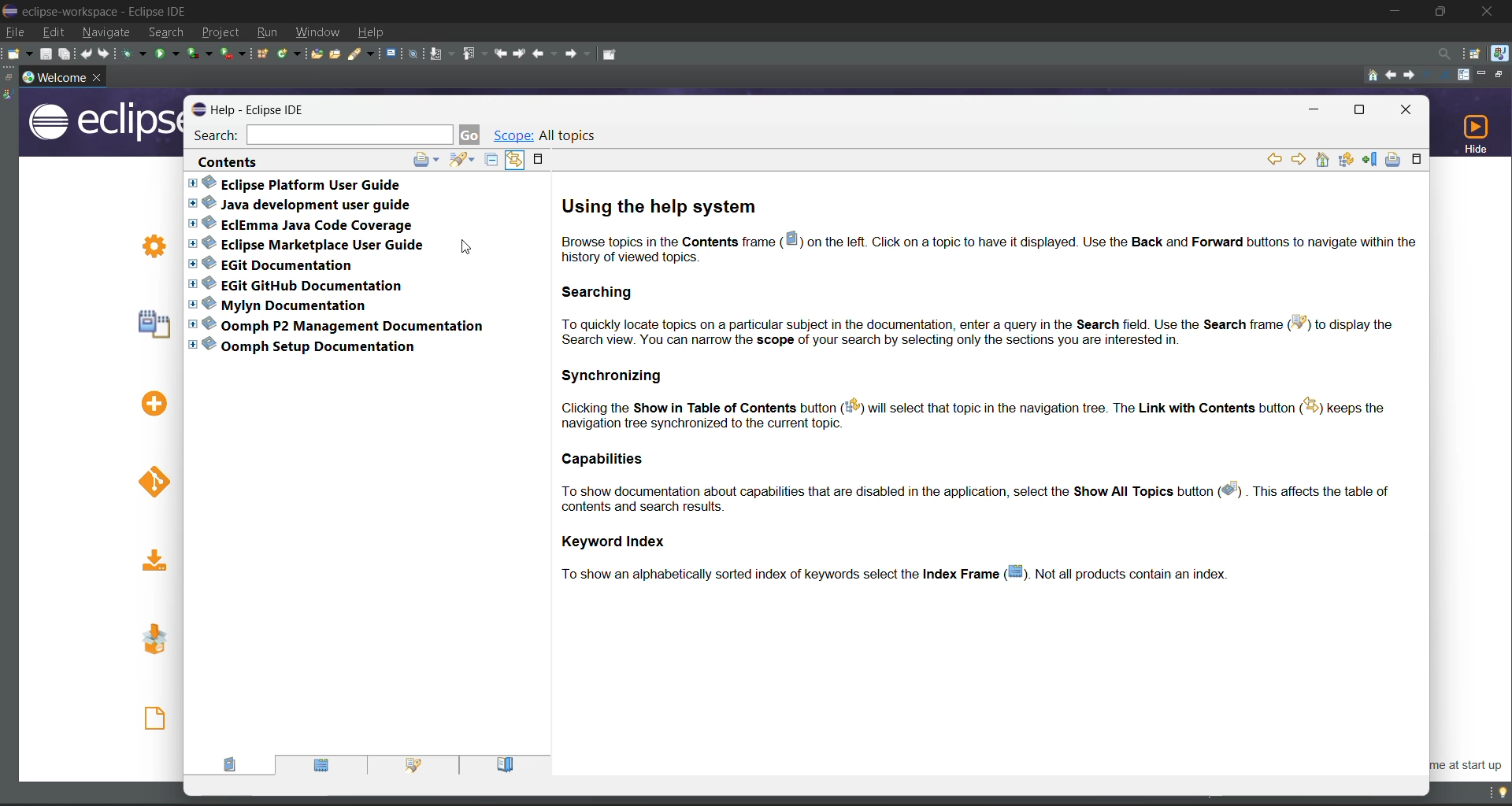  What do you see at coordinates (224, 31) in the screenshot?
I see `project` at bounding box center [224, 31].